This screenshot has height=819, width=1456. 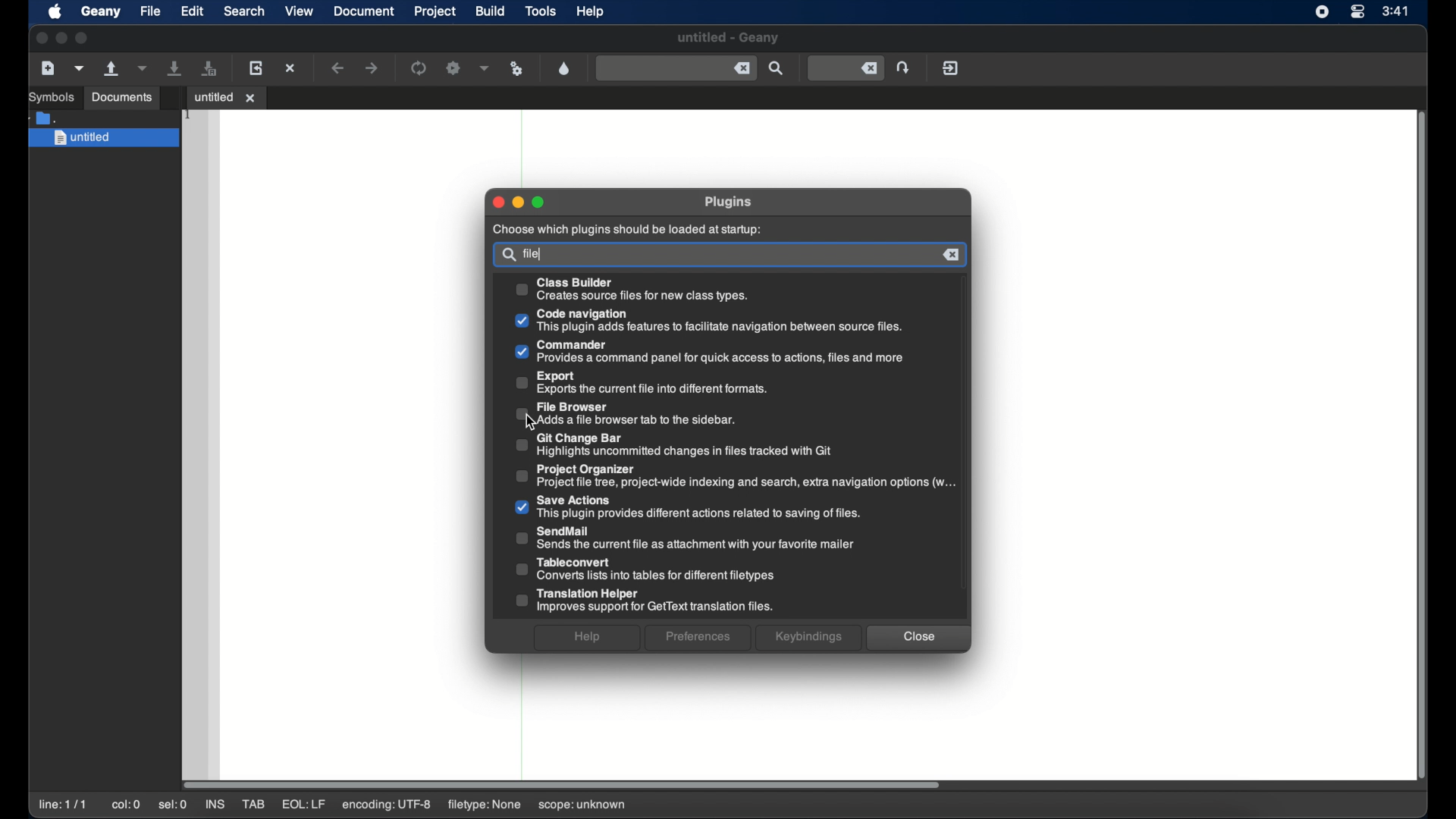 I want to click on , so click(x=669, y=382).